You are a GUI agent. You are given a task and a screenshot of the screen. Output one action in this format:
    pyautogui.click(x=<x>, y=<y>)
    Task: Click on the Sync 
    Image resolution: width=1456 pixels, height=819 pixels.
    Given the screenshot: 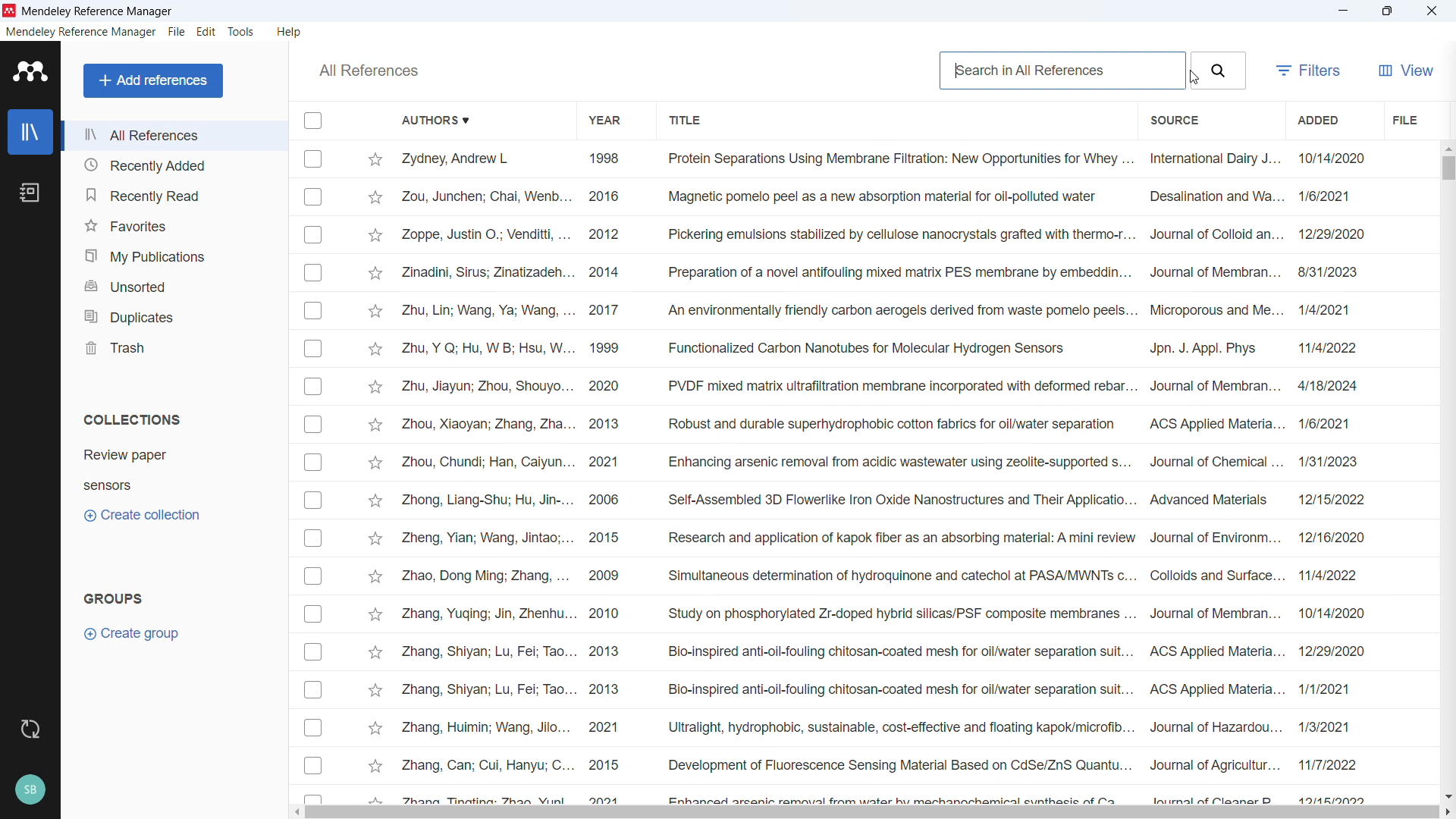 What is the action you would take?
    pyautogui.click(x=27, y=730)
    